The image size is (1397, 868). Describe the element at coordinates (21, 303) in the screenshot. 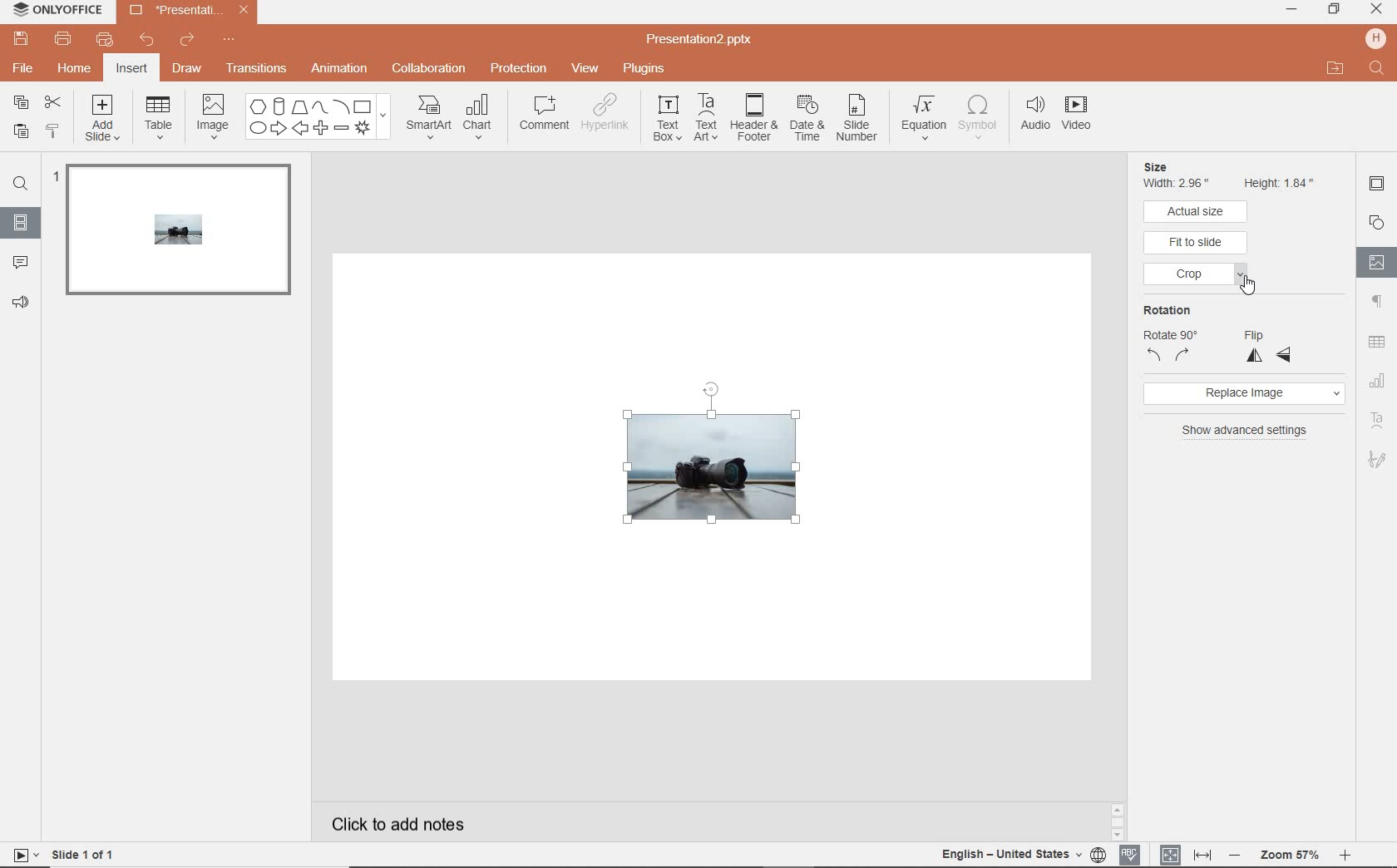

I see `feedback & support` at that location.